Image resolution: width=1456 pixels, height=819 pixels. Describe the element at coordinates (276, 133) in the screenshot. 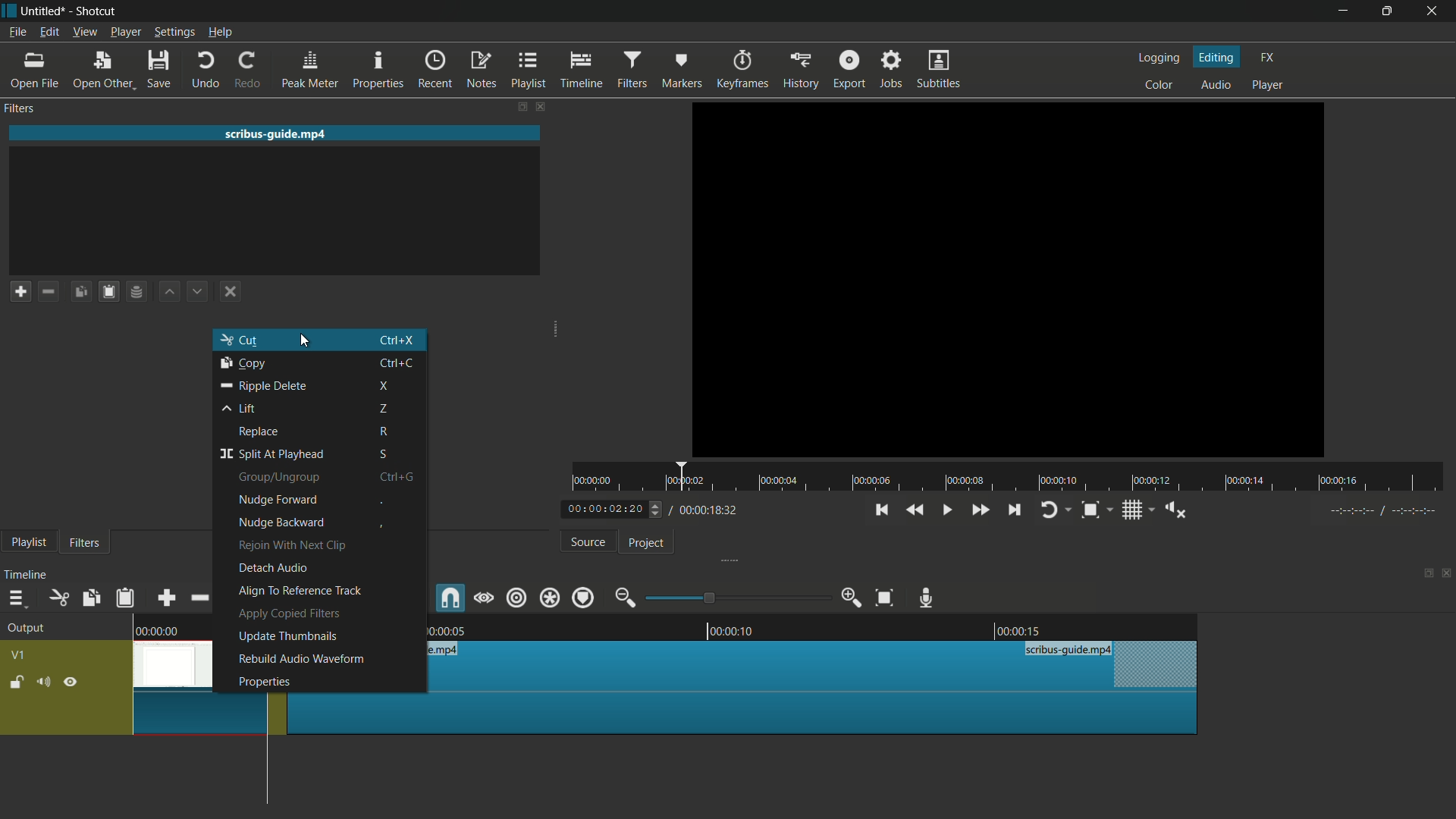

I see `imported file name` at that location.